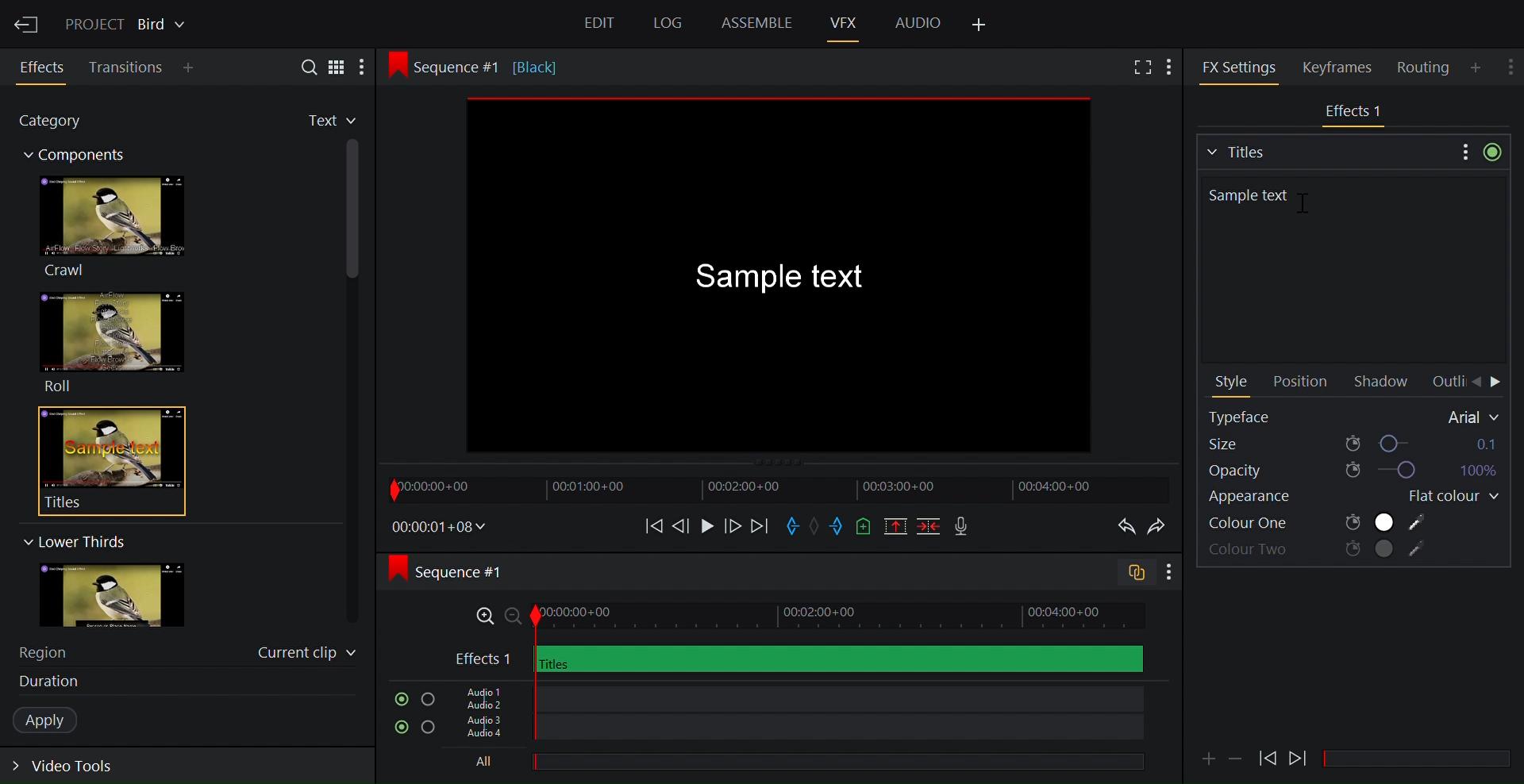 The width and height of the screenshot is (1524, 784). Describe the element at coordinates (1385, 382) in the screenshot. I see `Shadow` at that location.